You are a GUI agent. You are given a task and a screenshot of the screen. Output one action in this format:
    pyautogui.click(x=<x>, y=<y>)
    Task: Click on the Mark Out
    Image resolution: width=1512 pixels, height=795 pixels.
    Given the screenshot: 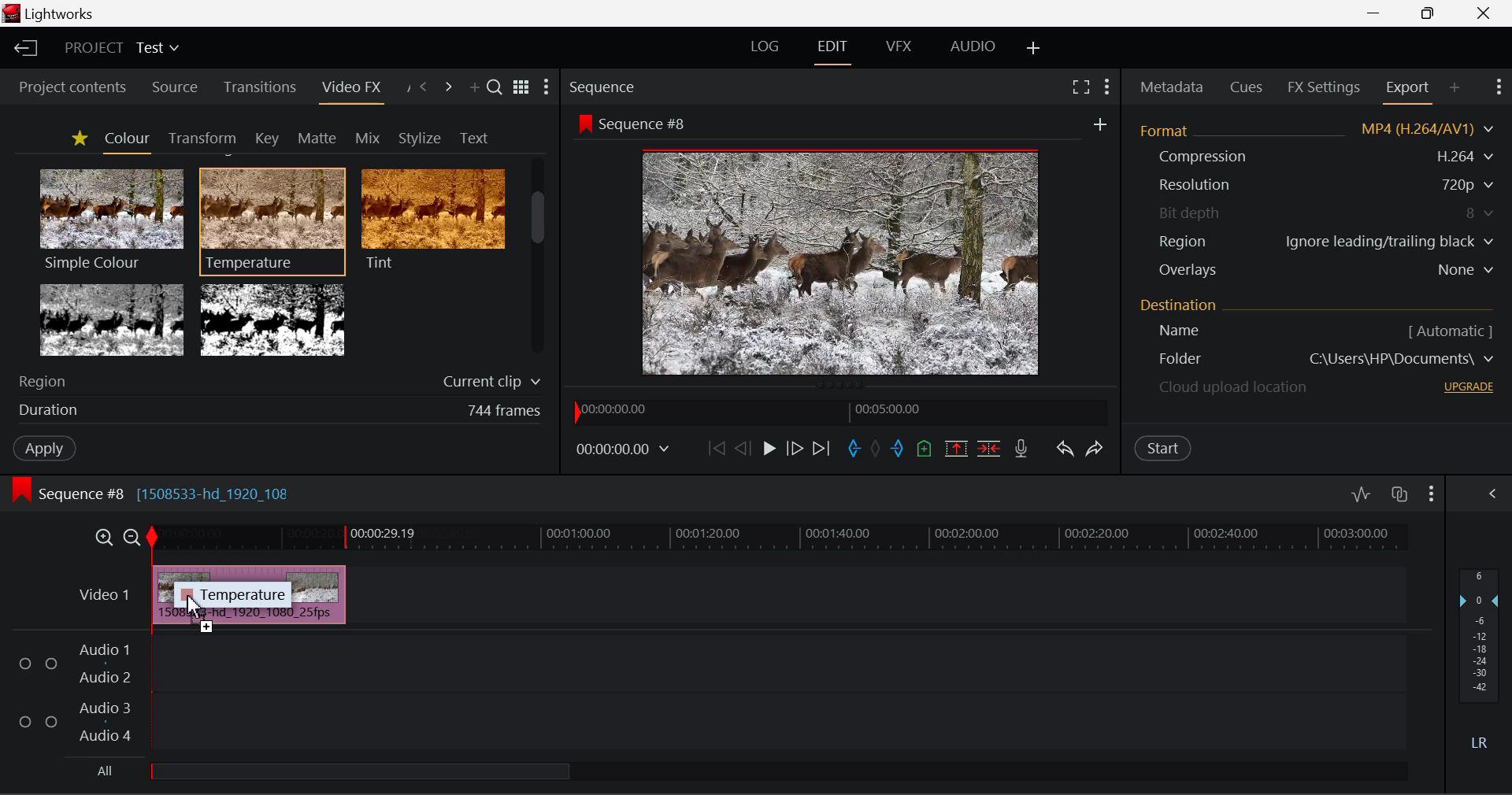 What is the action you would take?
    pyautogui.click(x=898, y=452)
    